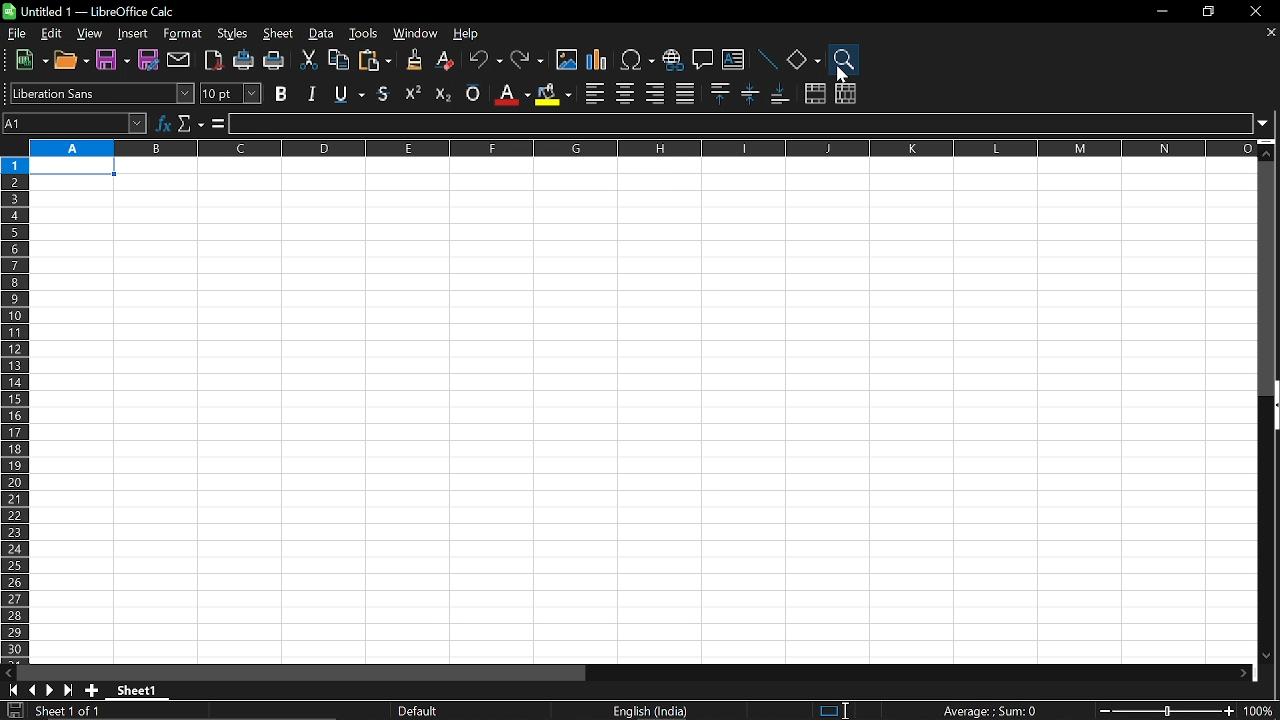 Image resolution: width=1280 pixels, height=720 pixels. I want to click on new, so click(32, 61).